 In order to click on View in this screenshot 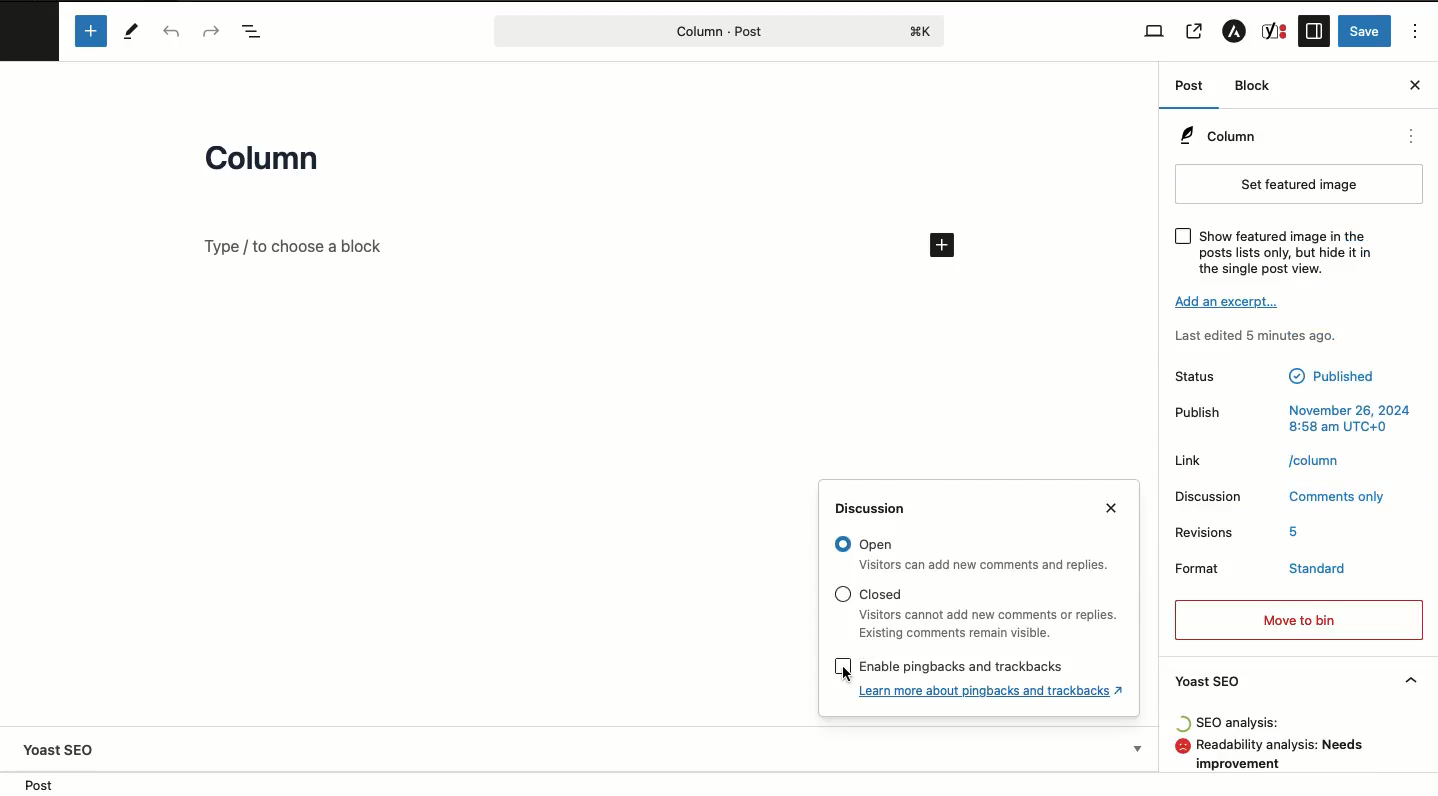, I will do `click(1156, 31)`.